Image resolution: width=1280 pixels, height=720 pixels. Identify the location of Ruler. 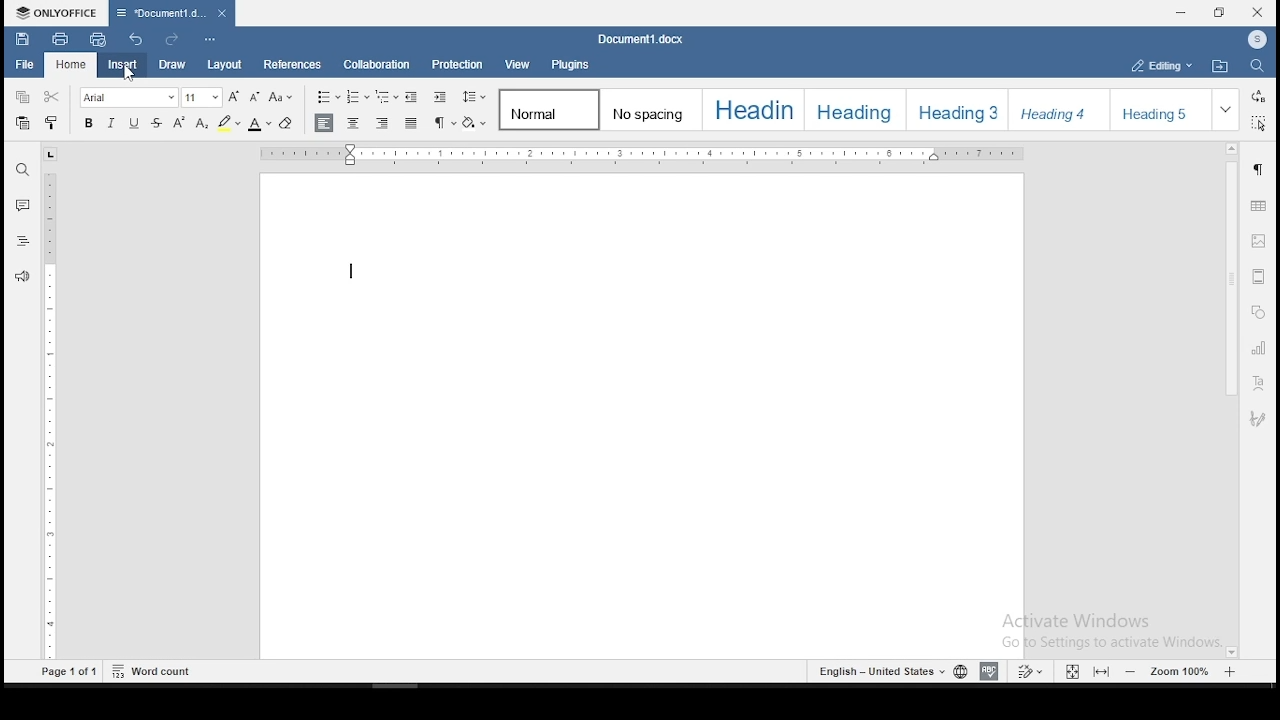
(646, 155).